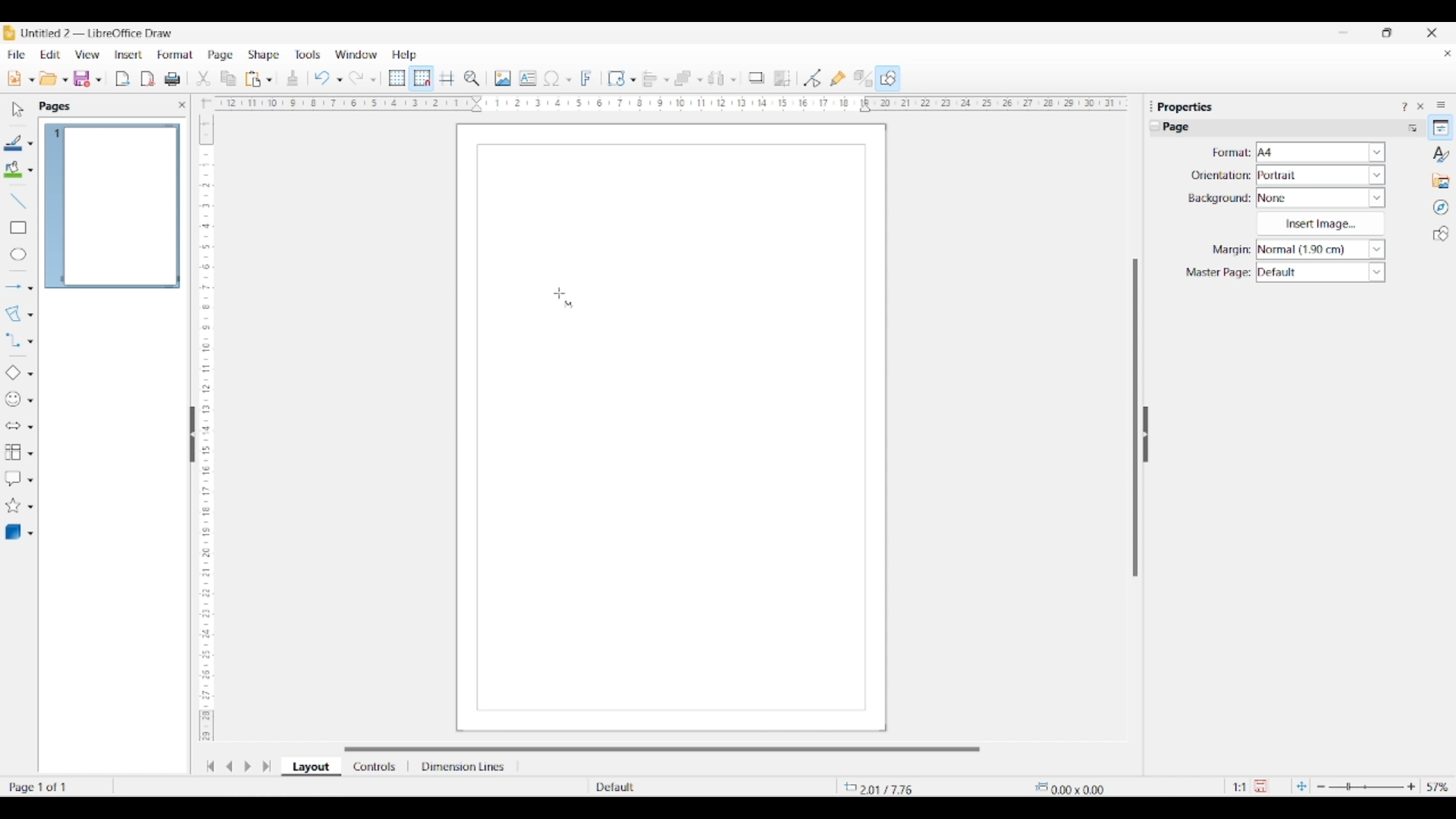 This screenshot has height=819, width=1456. I want to click on Star and banner options, so click(30, 507).